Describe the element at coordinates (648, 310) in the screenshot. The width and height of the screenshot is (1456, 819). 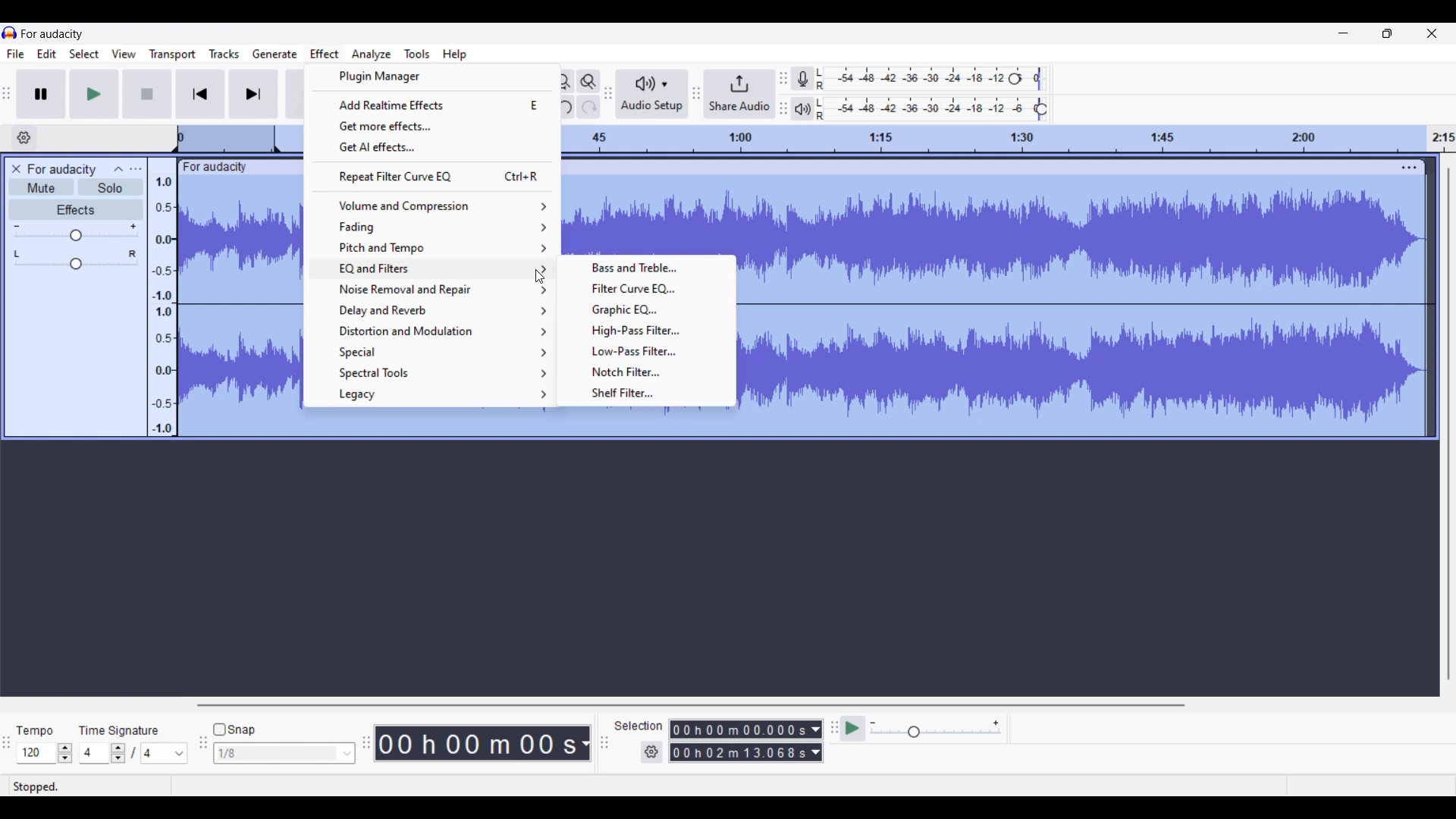
I see `Graphic EQ` at that location.